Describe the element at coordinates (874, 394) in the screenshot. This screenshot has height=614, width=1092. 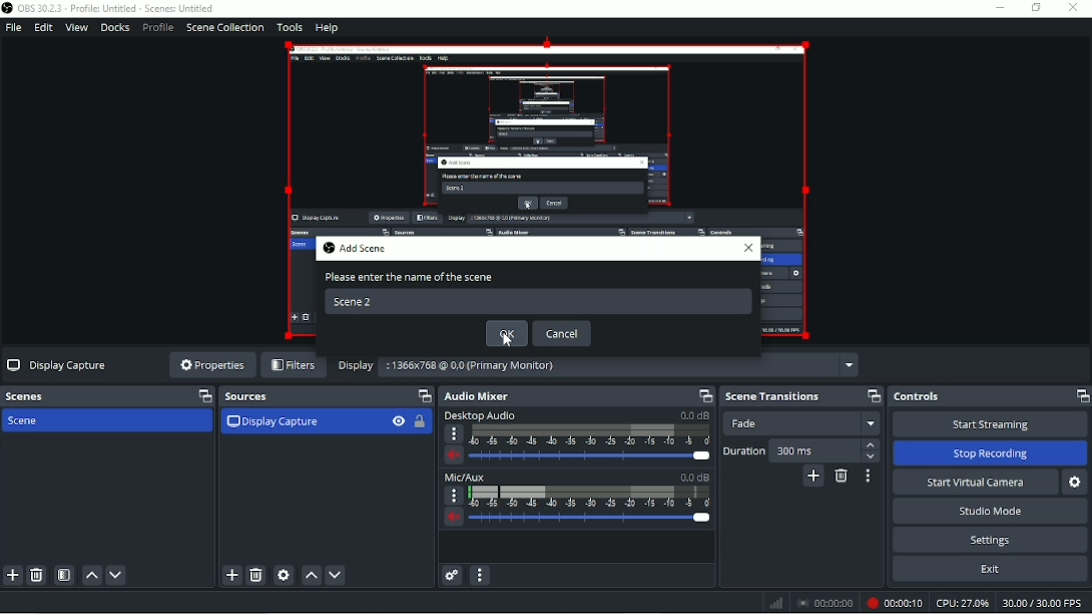
I see `Maximize` at that location.